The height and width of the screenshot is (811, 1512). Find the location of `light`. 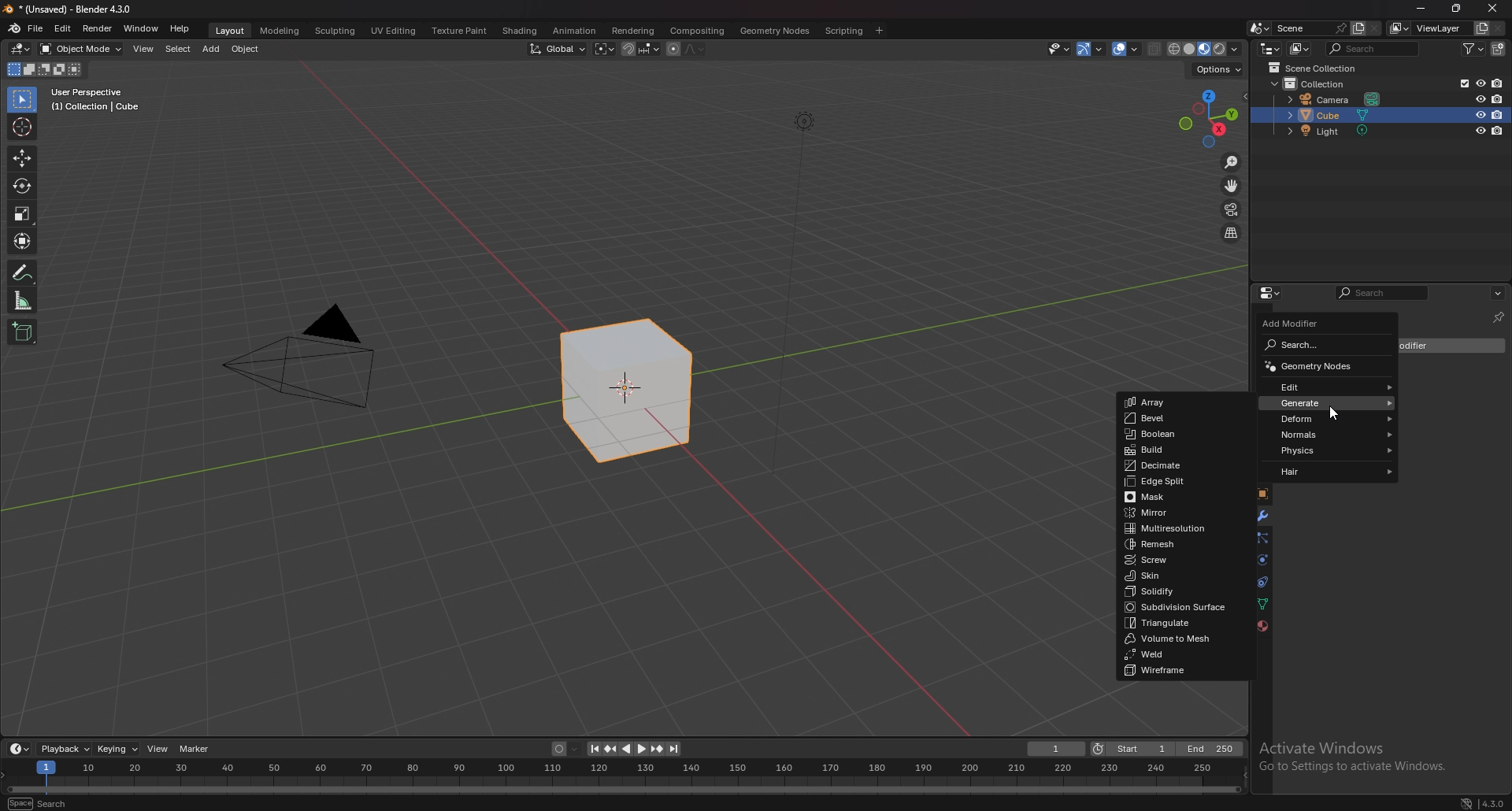

light is located at coordinates (1333, 131).